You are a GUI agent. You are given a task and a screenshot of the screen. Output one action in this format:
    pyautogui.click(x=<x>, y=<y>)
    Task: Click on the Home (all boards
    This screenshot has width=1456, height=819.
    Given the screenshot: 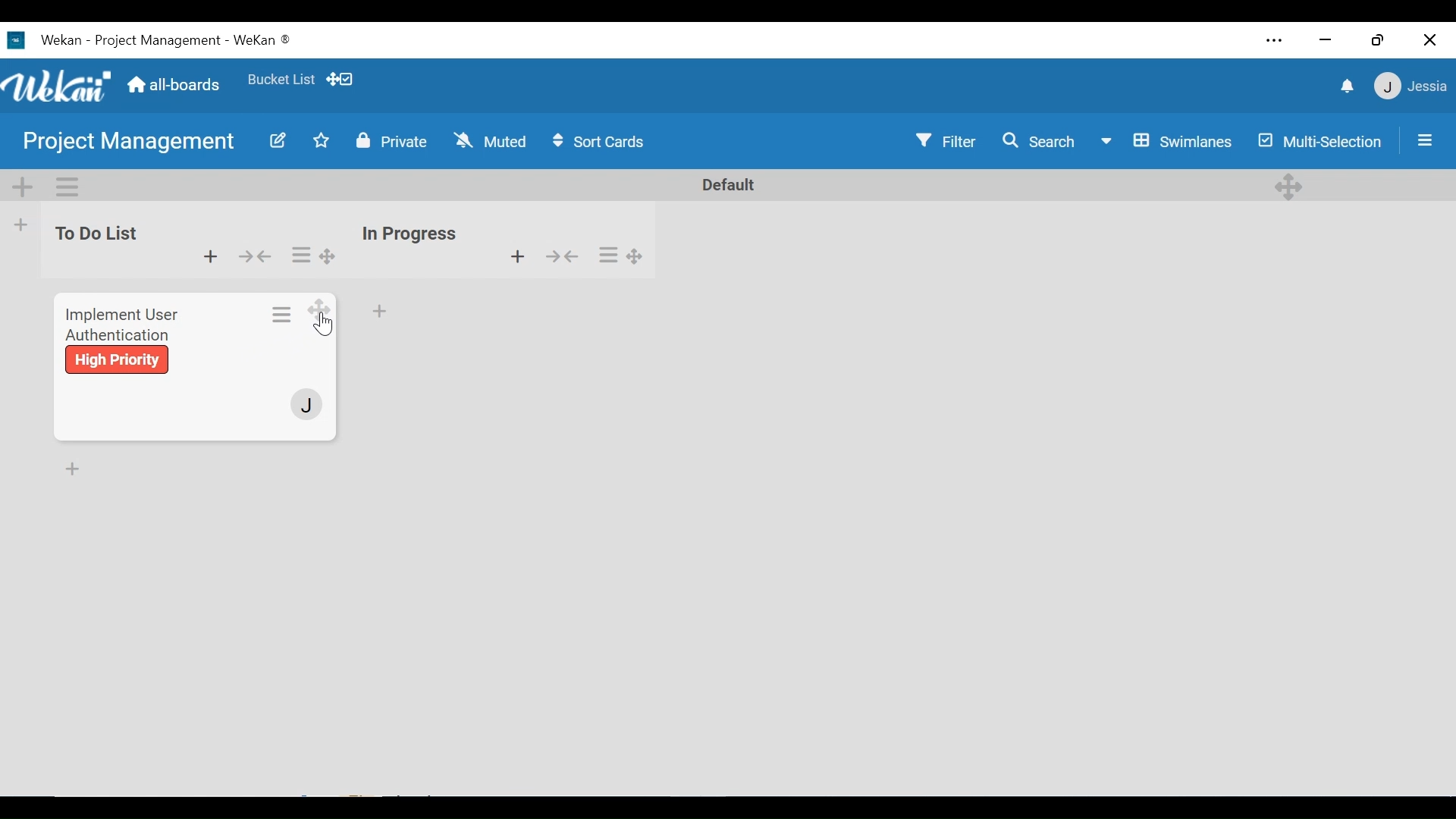 What is the action you would take?
    pyautogui.click(x=175, y=83)
    